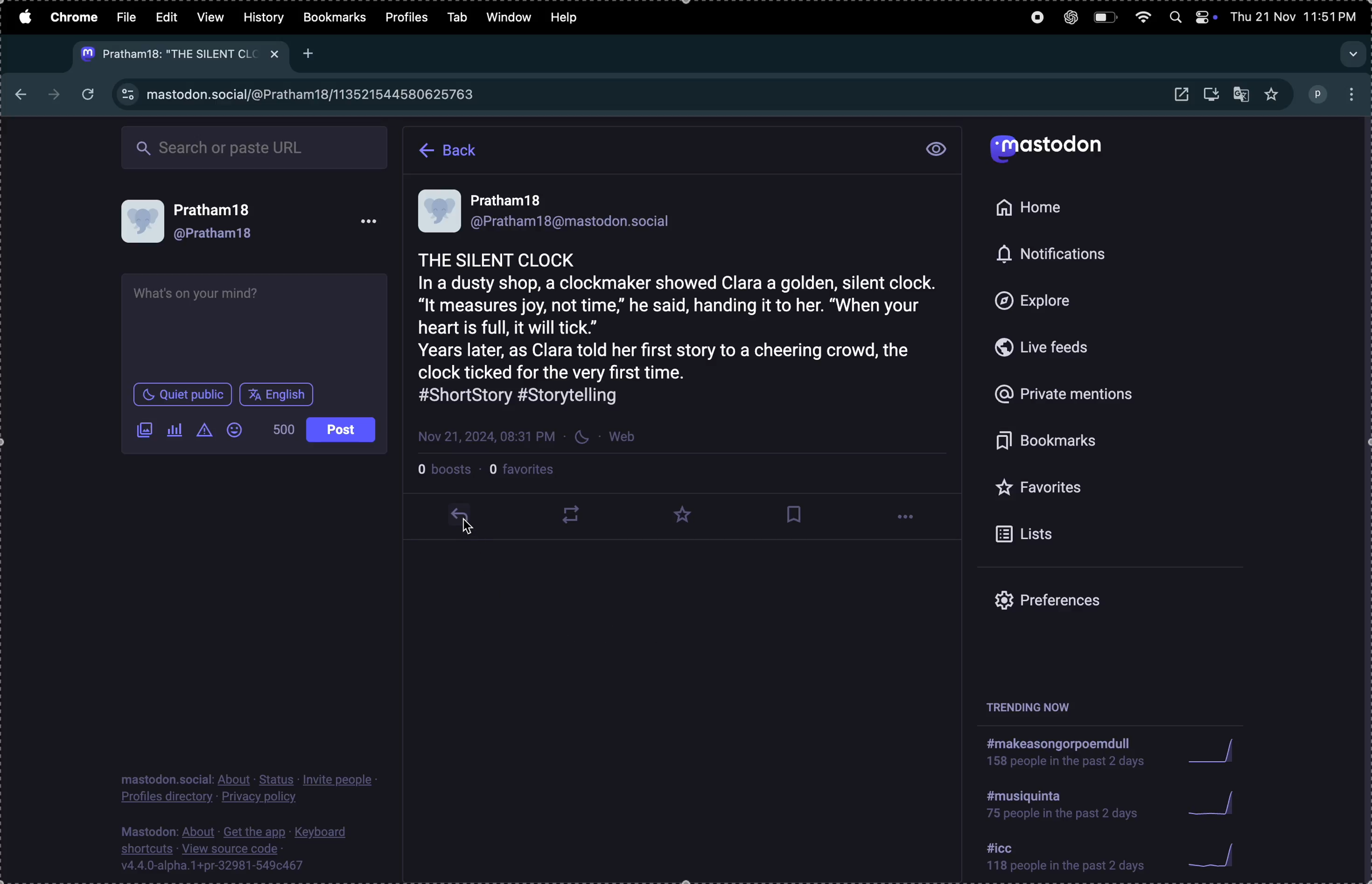 Image resolution: width=1372 pixels, height=884 pixels. What do you see at coordinates (1084, 489) in the screenshot?
I see `favourites` at bounding box center [1084, 489].